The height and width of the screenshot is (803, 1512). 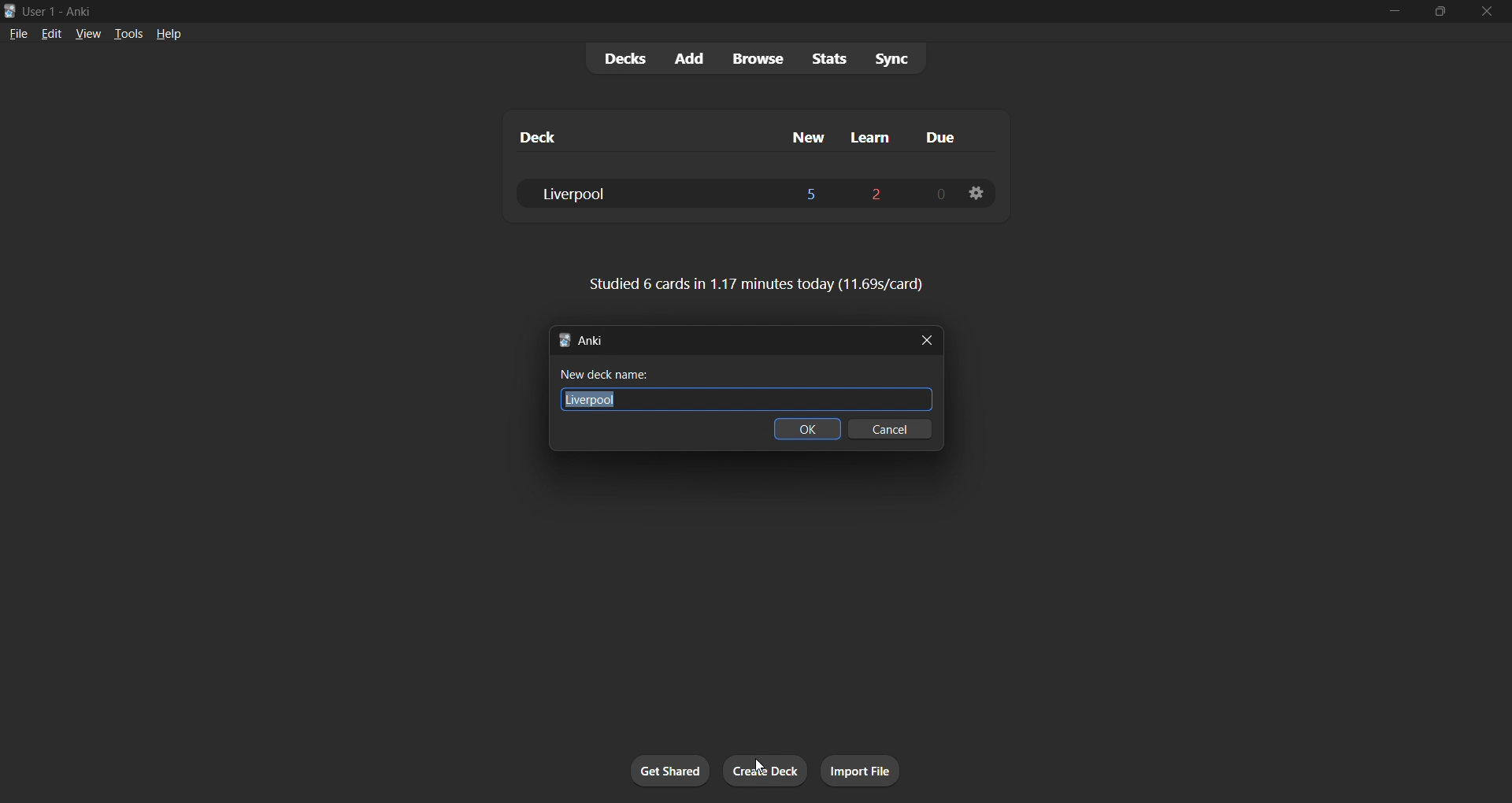 I want to click on card stats, so click(x=758, y=284).